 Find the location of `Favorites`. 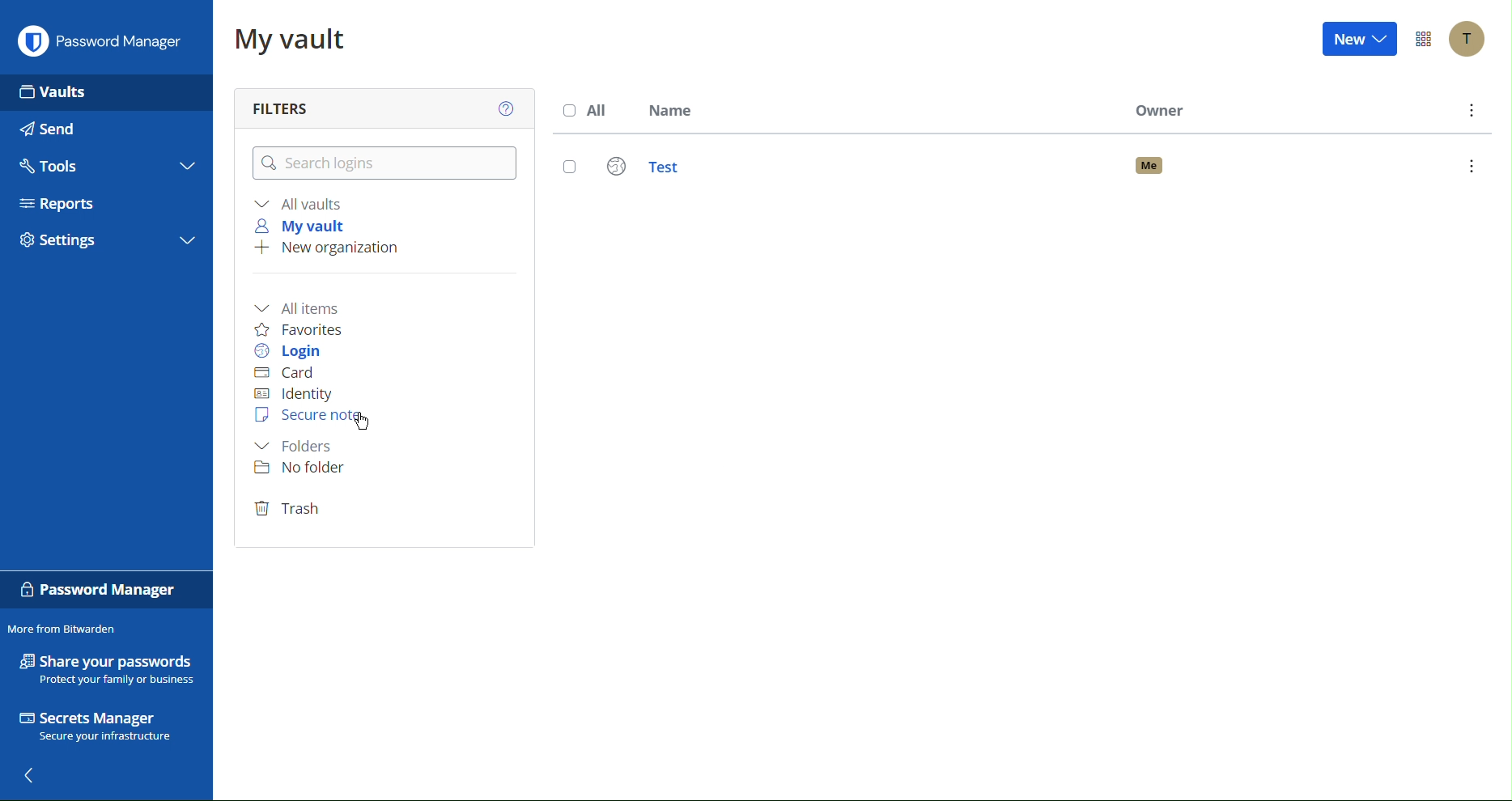

Favorites is located at coordinates (304, 328).